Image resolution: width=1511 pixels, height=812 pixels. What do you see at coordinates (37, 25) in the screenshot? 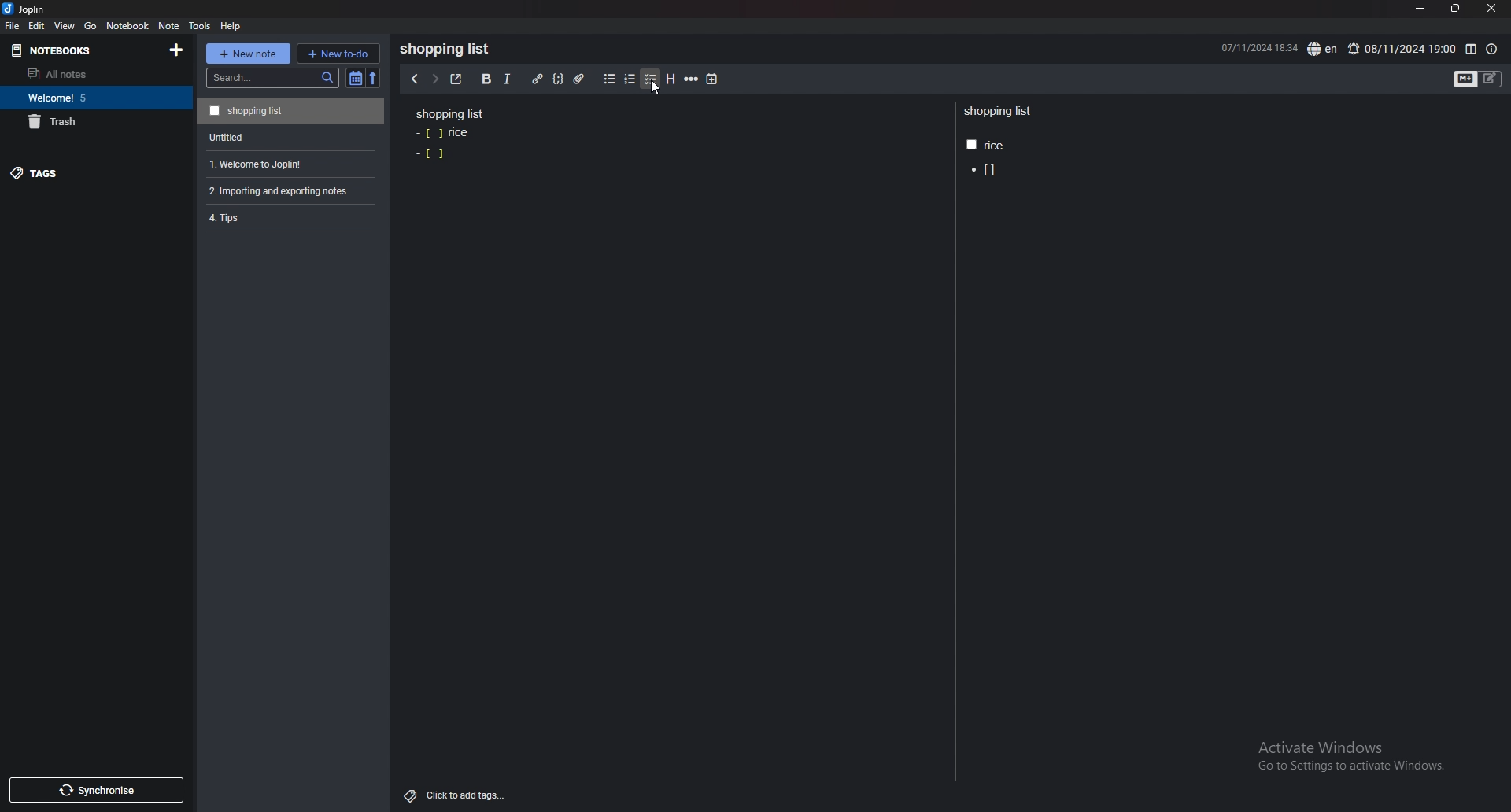
I see `edit` at bounding box center [37, 25].